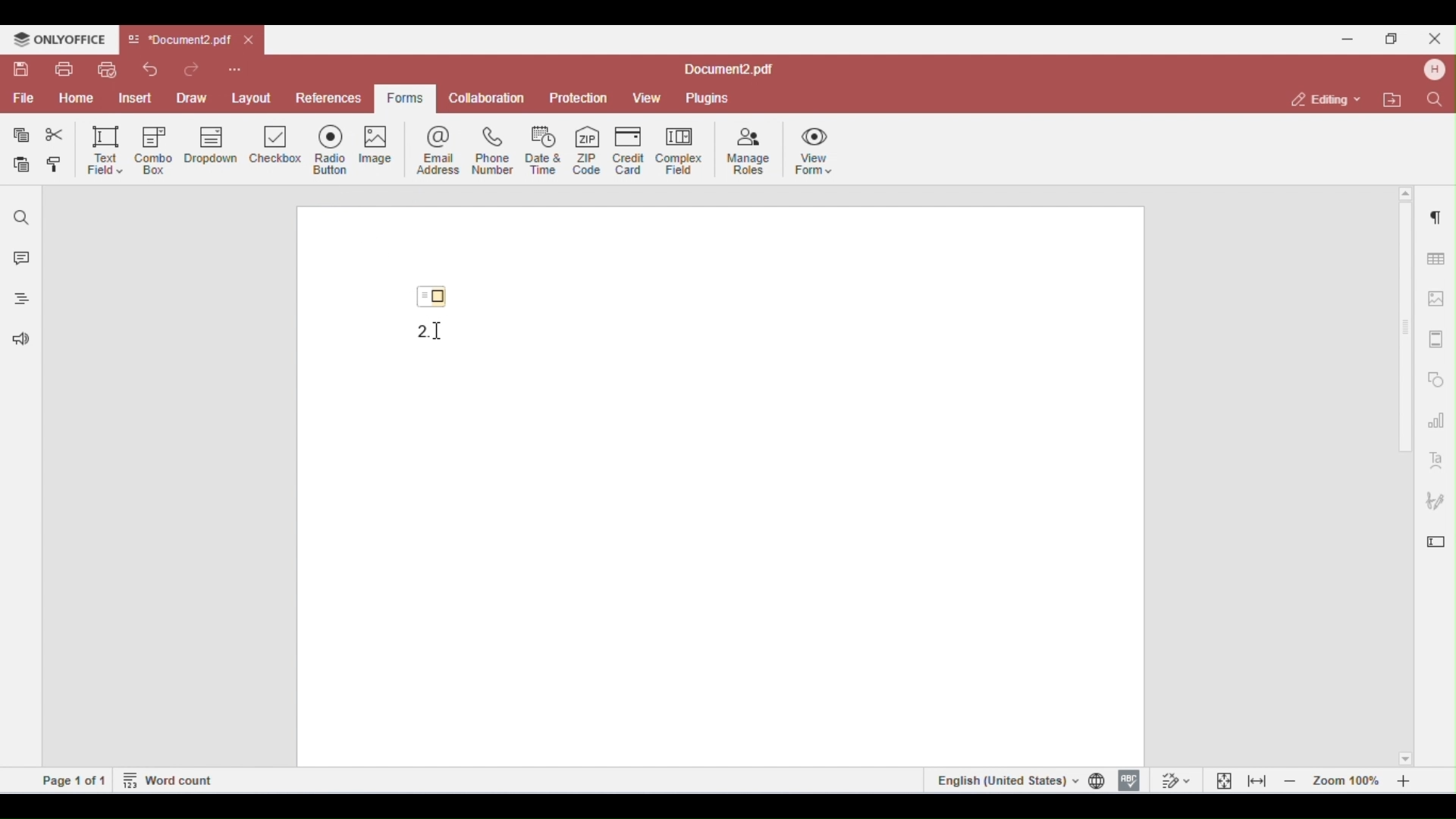 Image resolution: width=1456 pixels, height=819 pixels. Describe the element at coordinates (1225, 780) in the screenshot. I see `fit to page` at that location.